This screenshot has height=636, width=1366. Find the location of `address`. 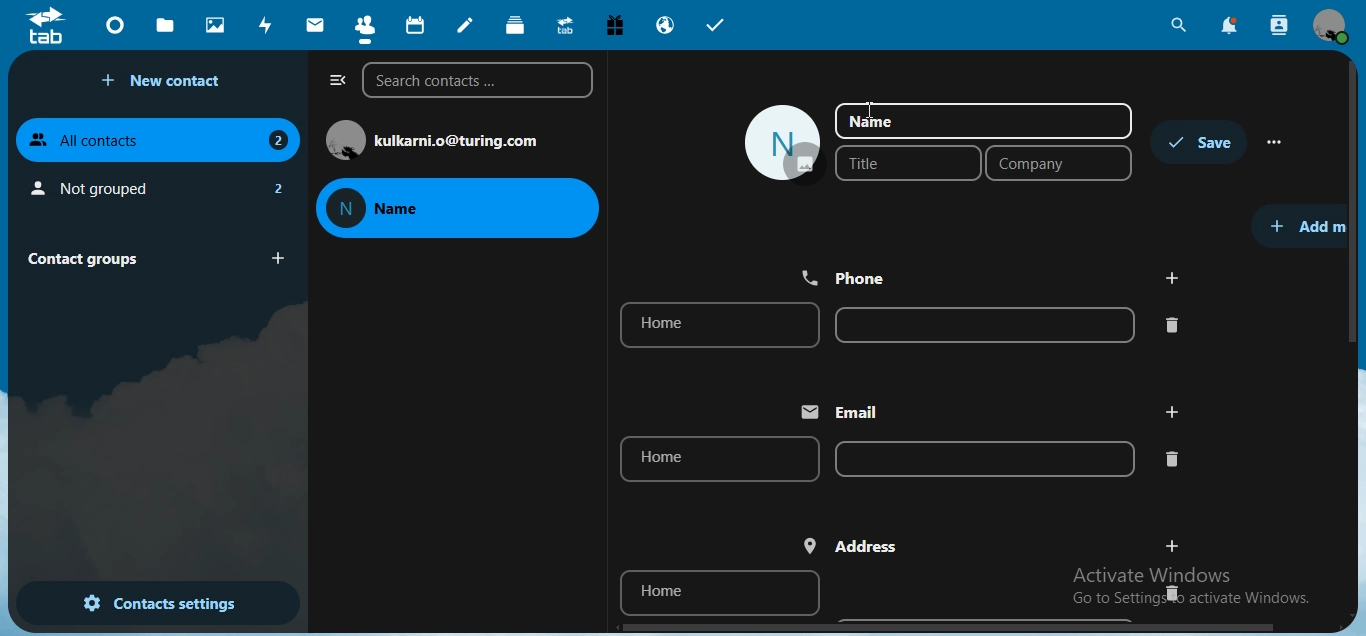

address is located at coordinates (853, 546).